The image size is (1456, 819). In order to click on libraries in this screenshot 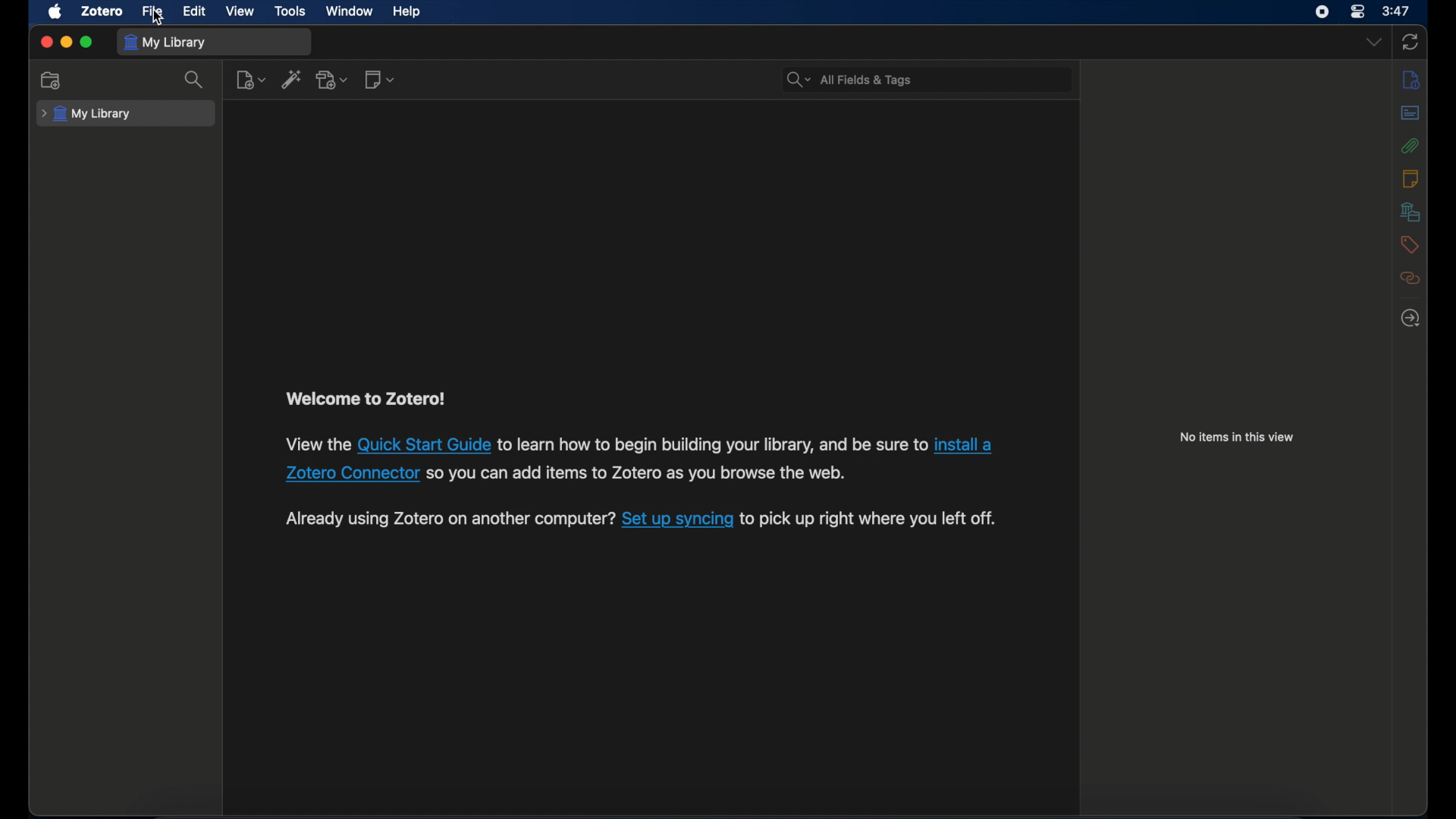, I will do `click(1411, 212)`.